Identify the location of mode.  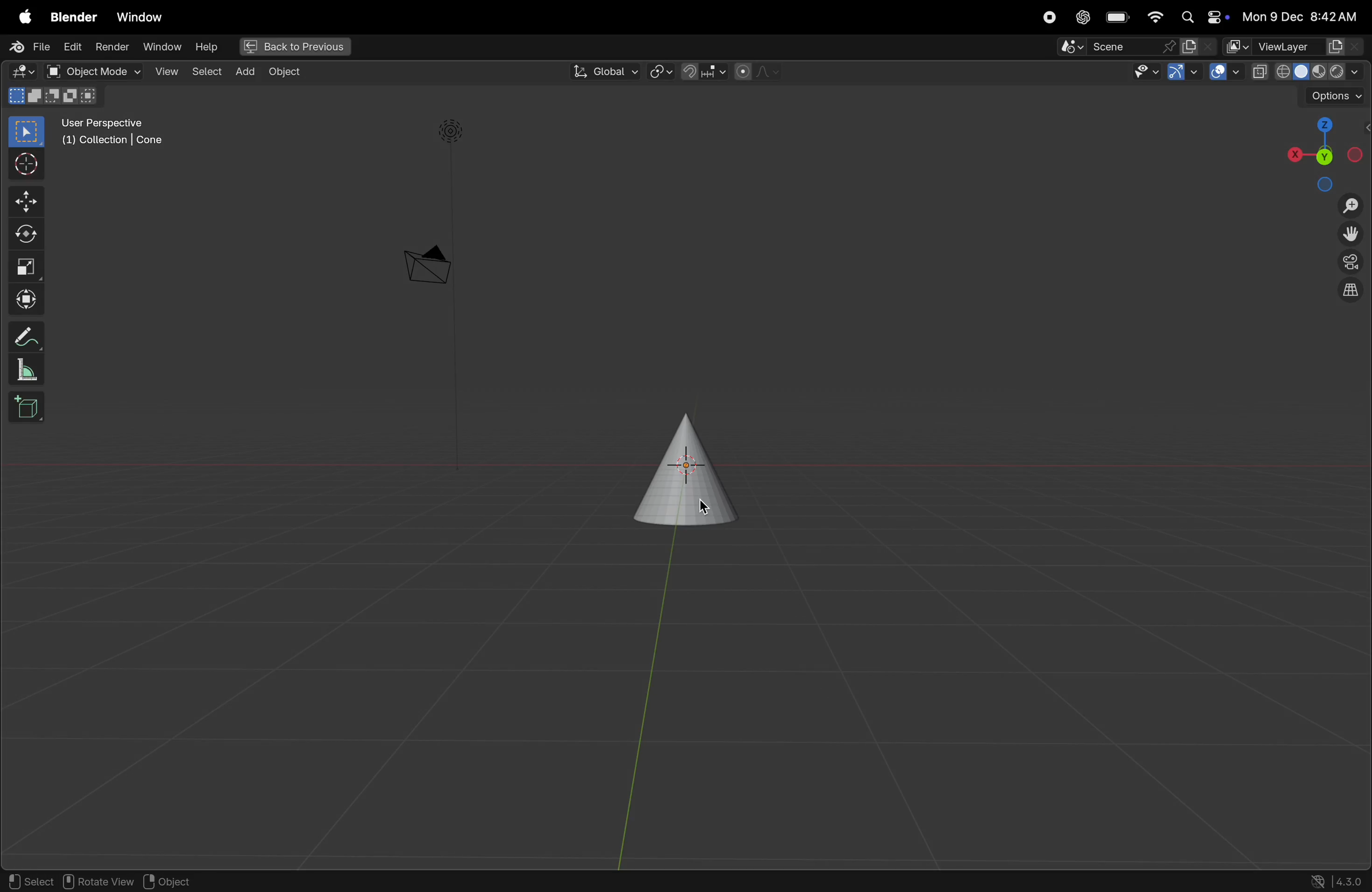
(55, 96).